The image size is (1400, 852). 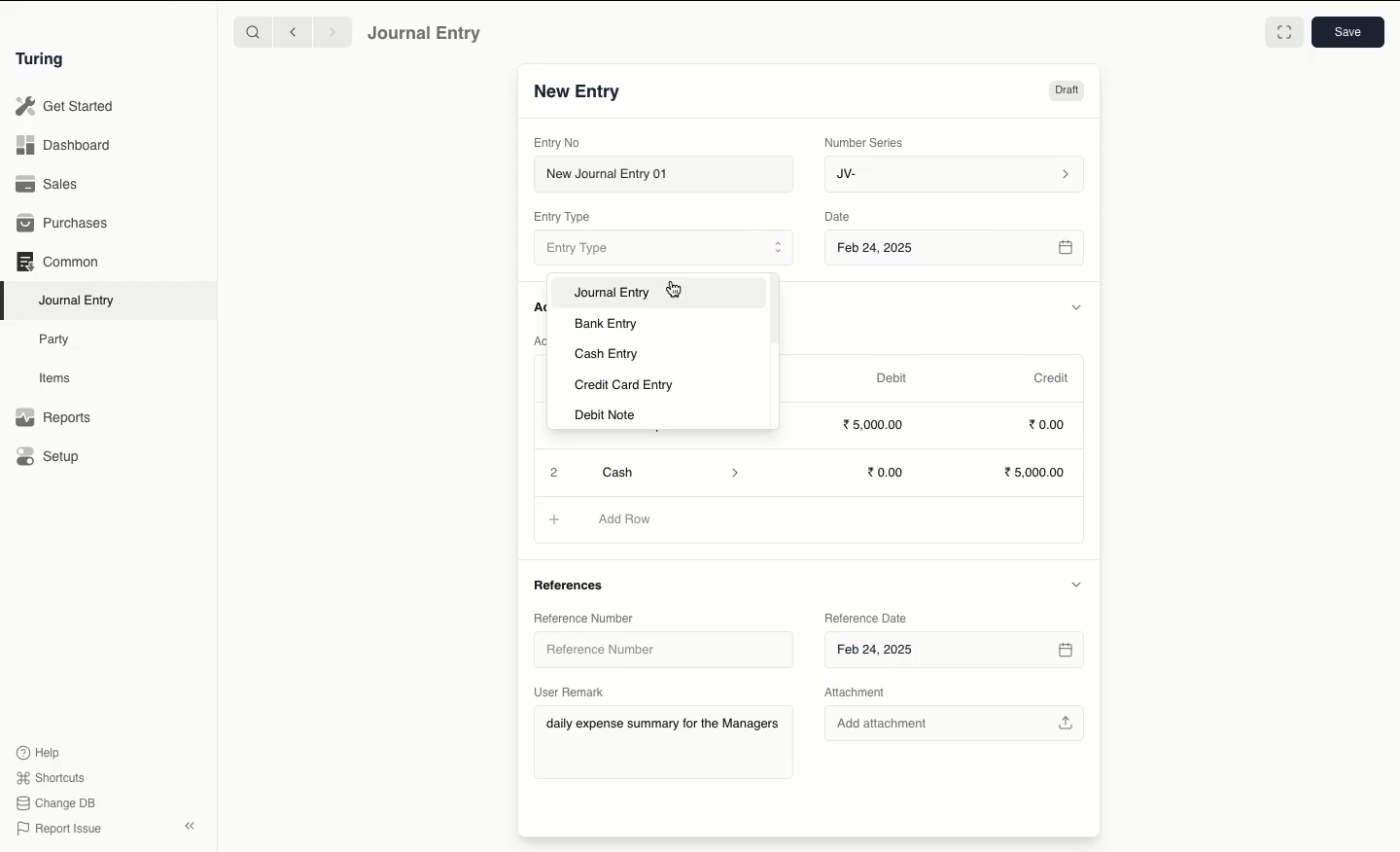 I want to click on Report Issue, so click(x=61, y=830).